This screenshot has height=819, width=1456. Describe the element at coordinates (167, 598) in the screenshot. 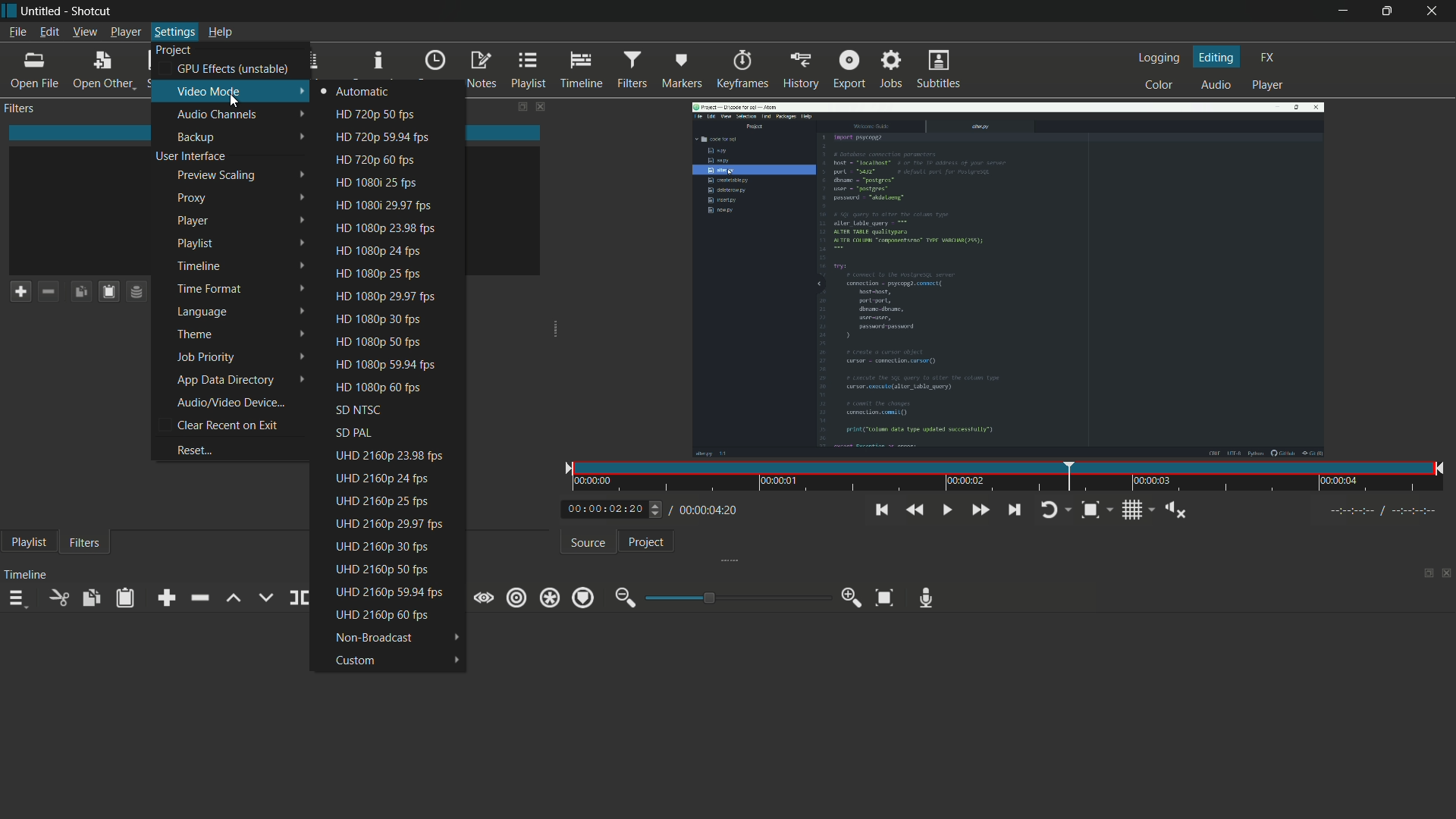

I see `append` at that location.